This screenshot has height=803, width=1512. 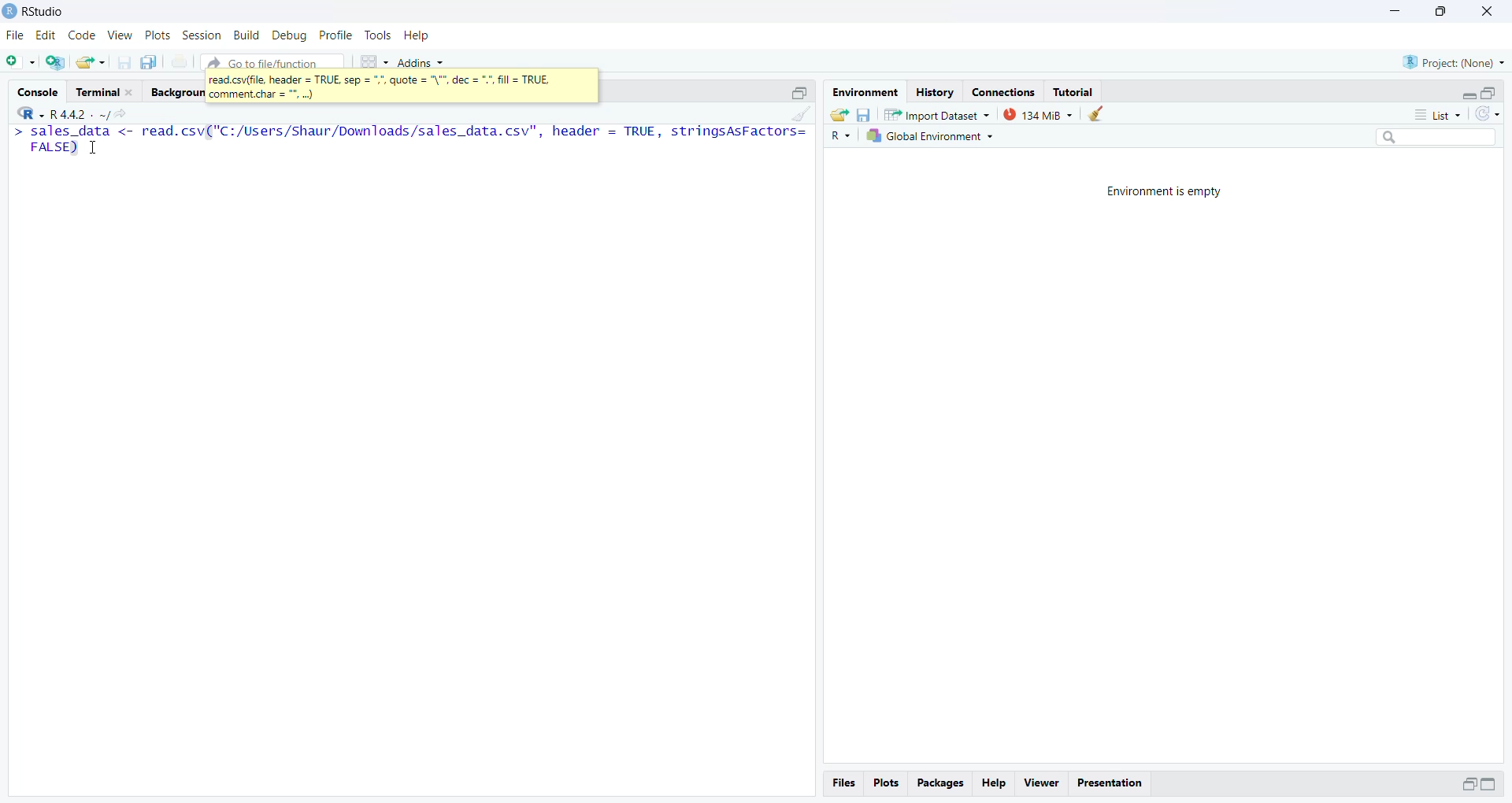 I want to click on Import Dataset, so click(x=939, y=117).